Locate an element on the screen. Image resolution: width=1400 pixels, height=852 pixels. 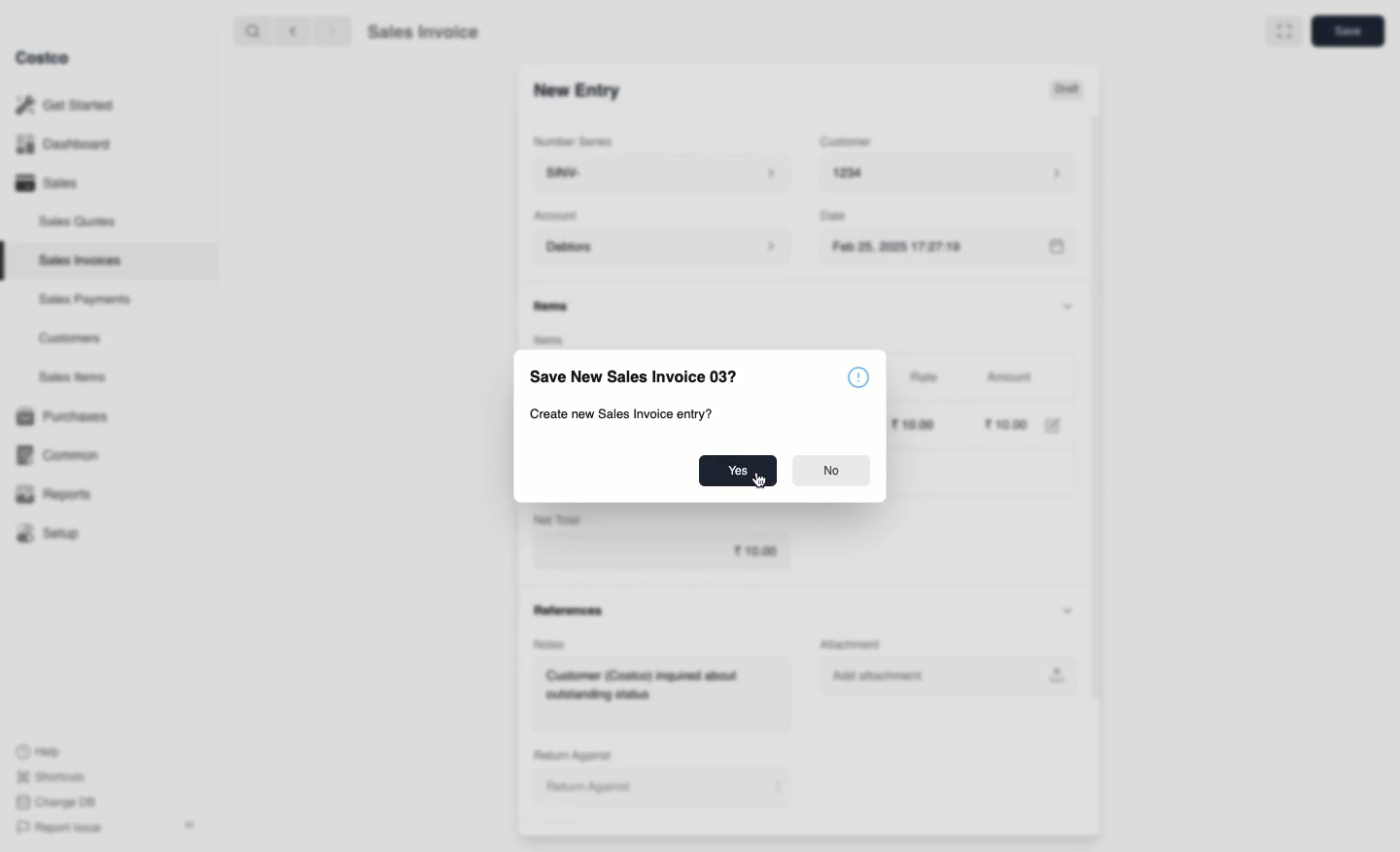
Sales Payments is located at coordinates (81, 301).